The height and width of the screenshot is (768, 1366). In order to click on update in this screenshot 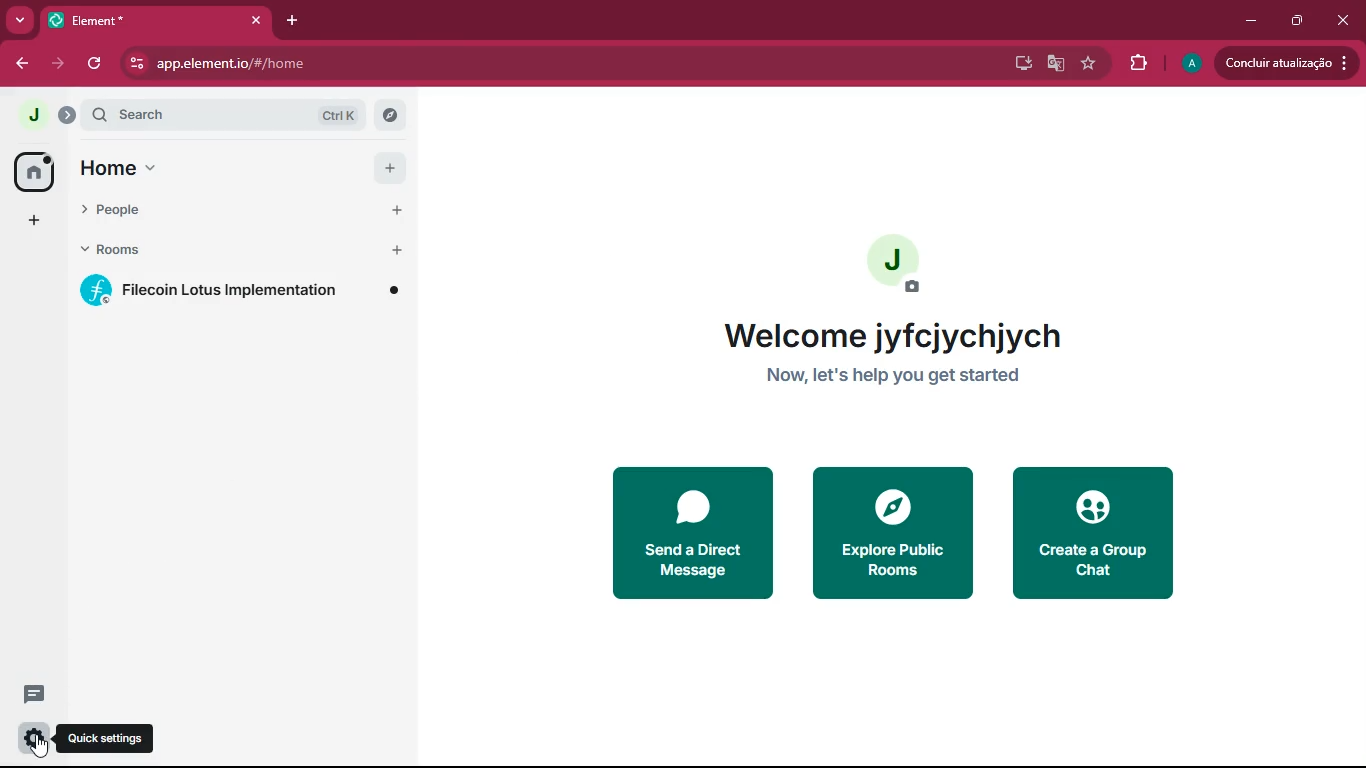, I will do `click(1283, 63)`.